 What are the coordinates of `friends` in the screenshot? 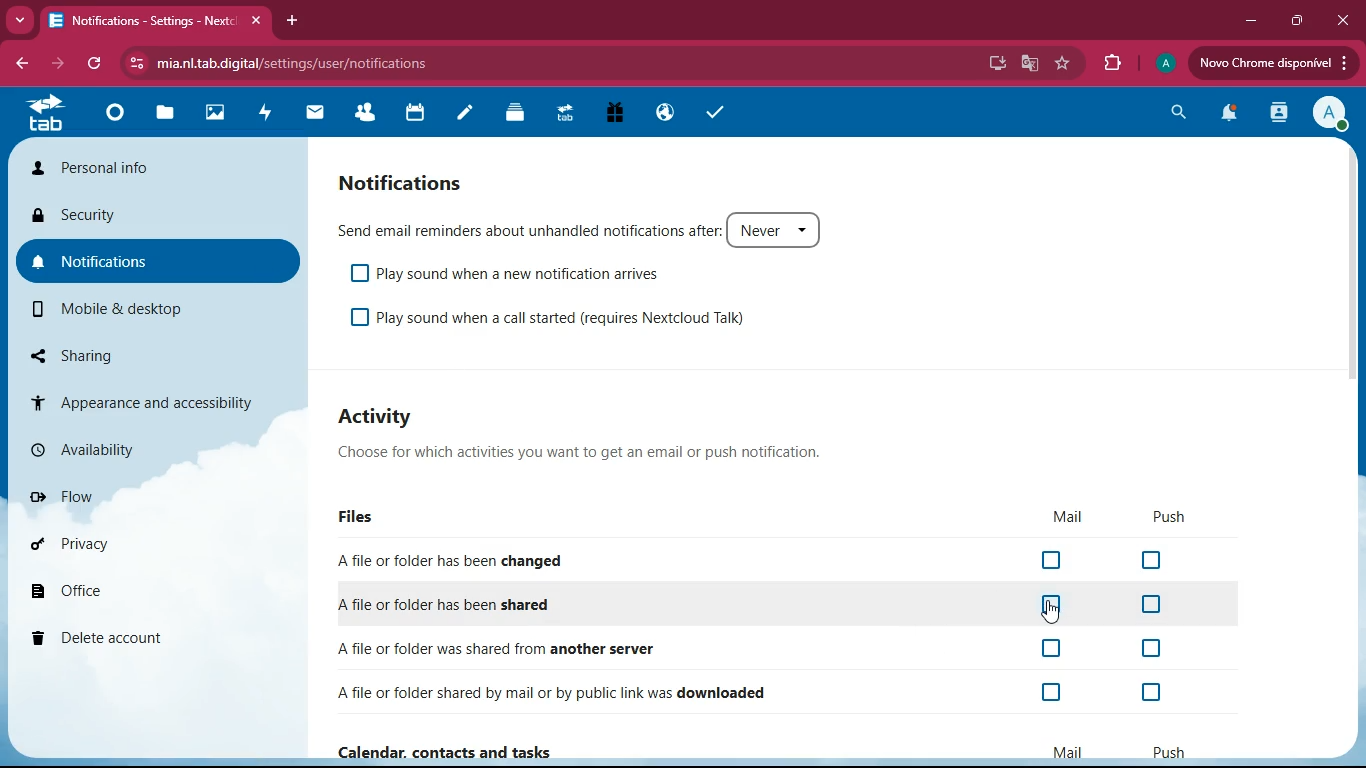 It's located at (365, 114).